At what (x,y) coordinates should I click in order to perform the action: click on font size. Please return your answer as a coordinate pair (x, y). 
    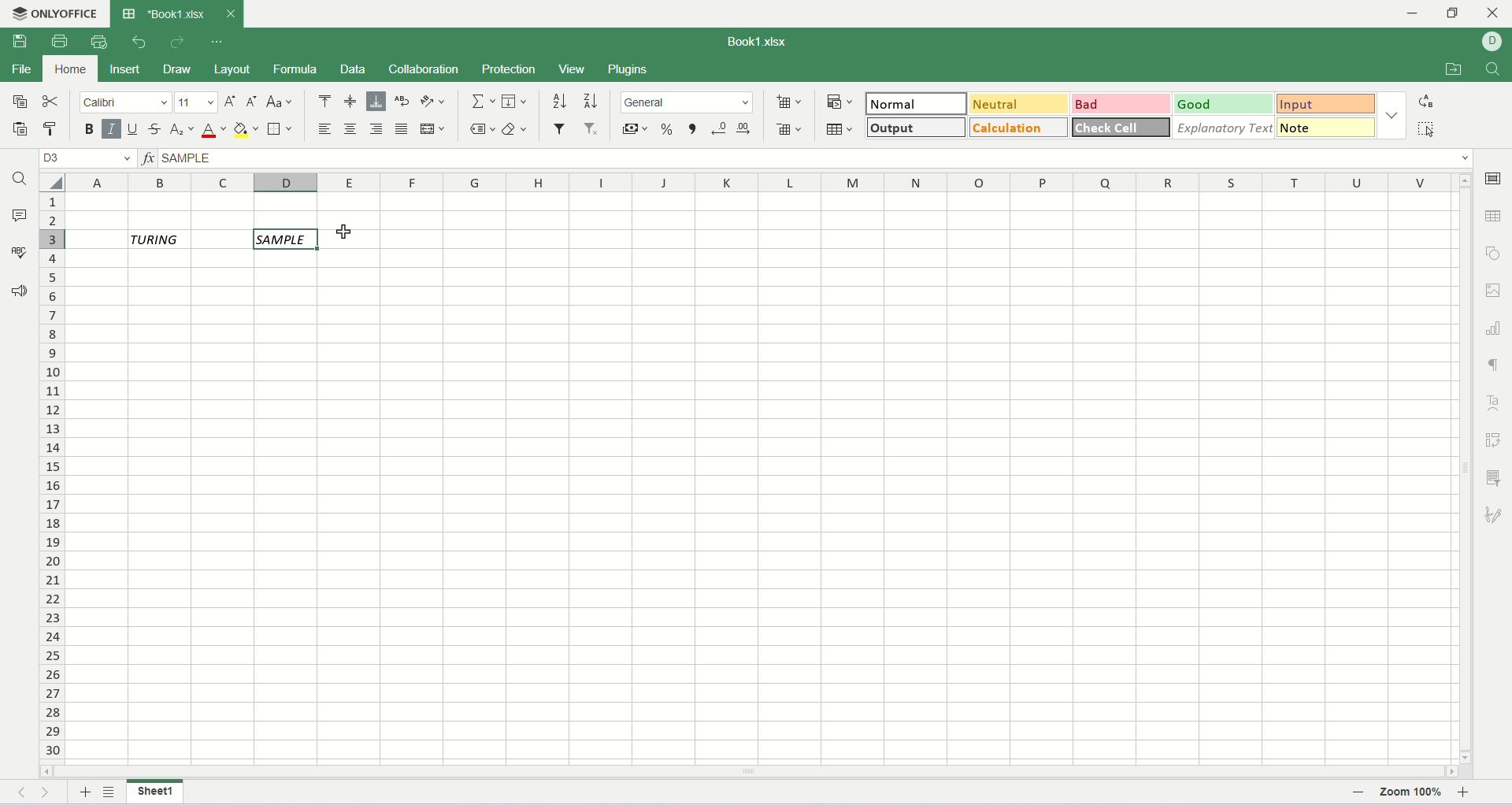
    Looking at the image, I should click on (198, 102).